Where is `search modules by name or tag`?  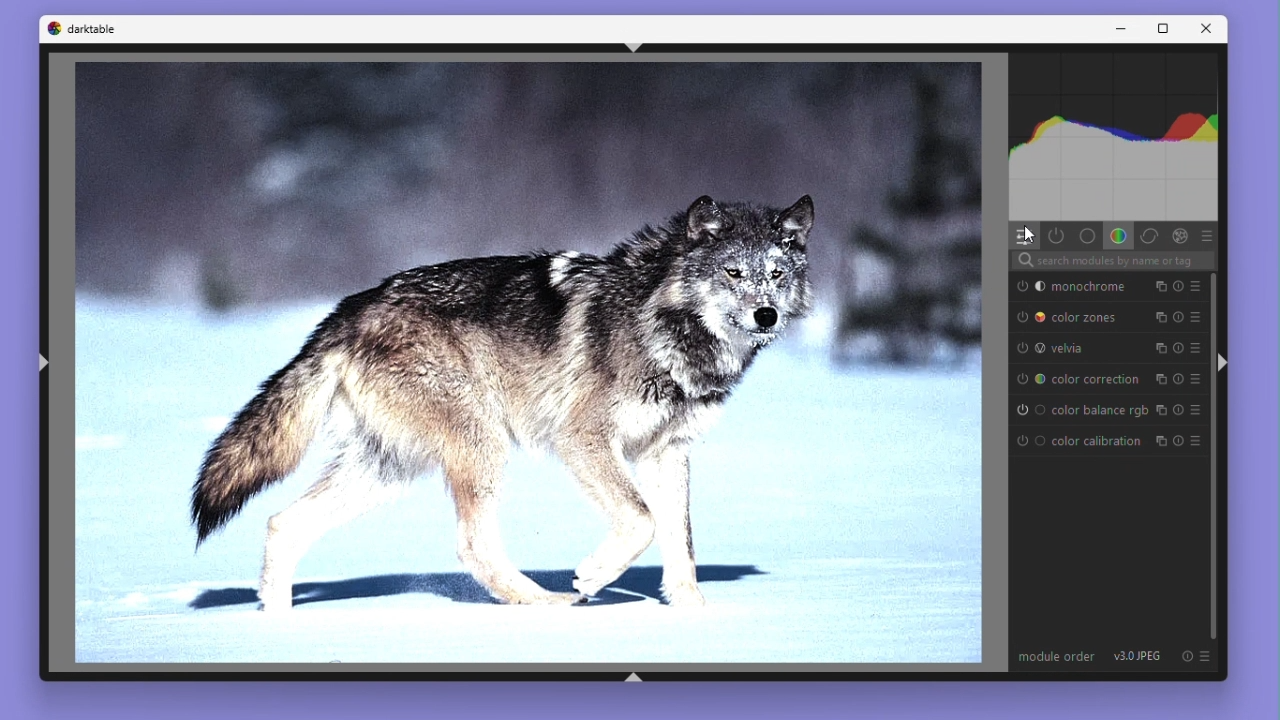 search modules by name or tag is located at coordinates (1112, 262).